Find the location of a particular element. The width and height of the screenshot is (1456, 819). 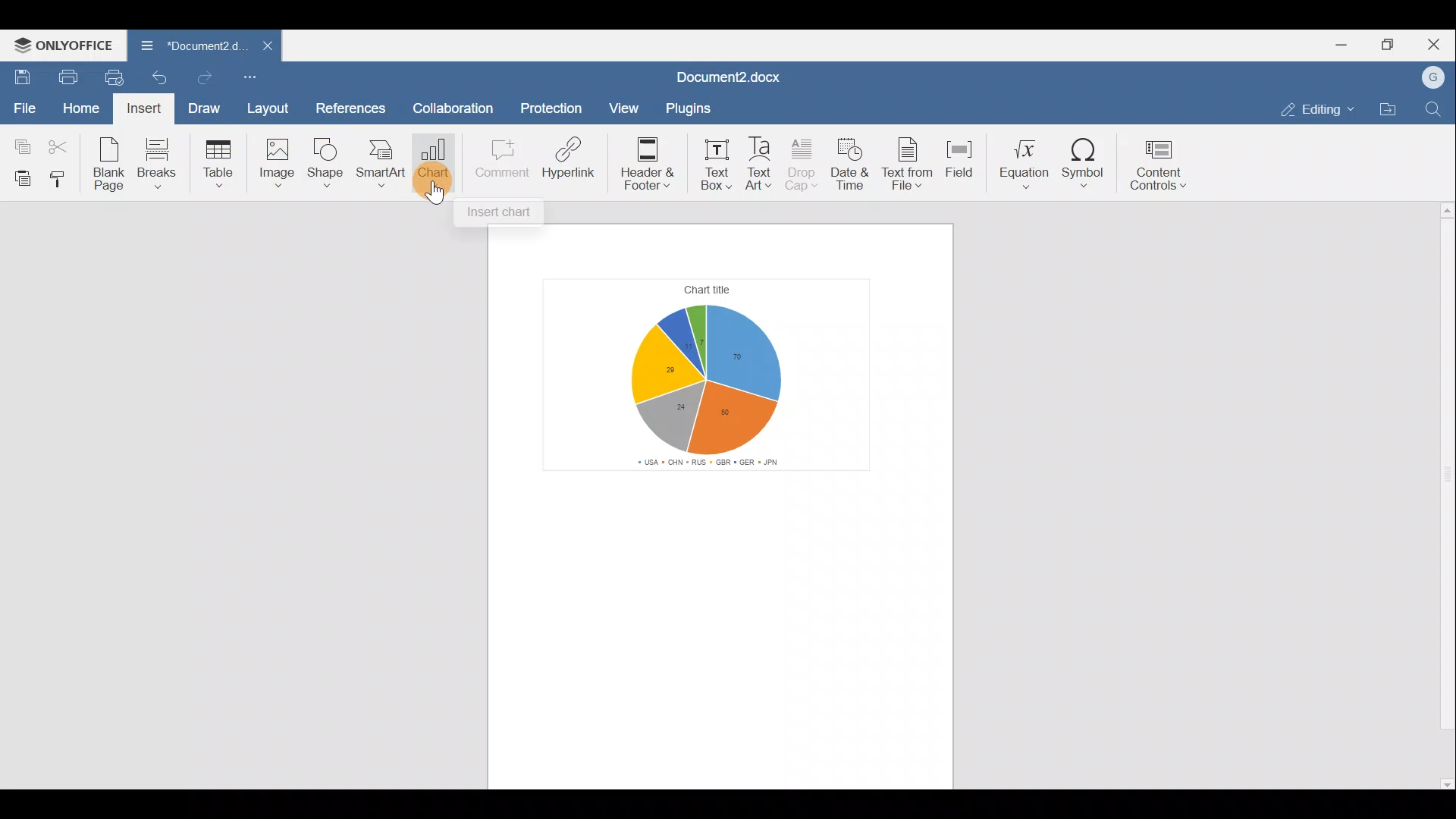

Minimize is located at coordinates (1338, 46).